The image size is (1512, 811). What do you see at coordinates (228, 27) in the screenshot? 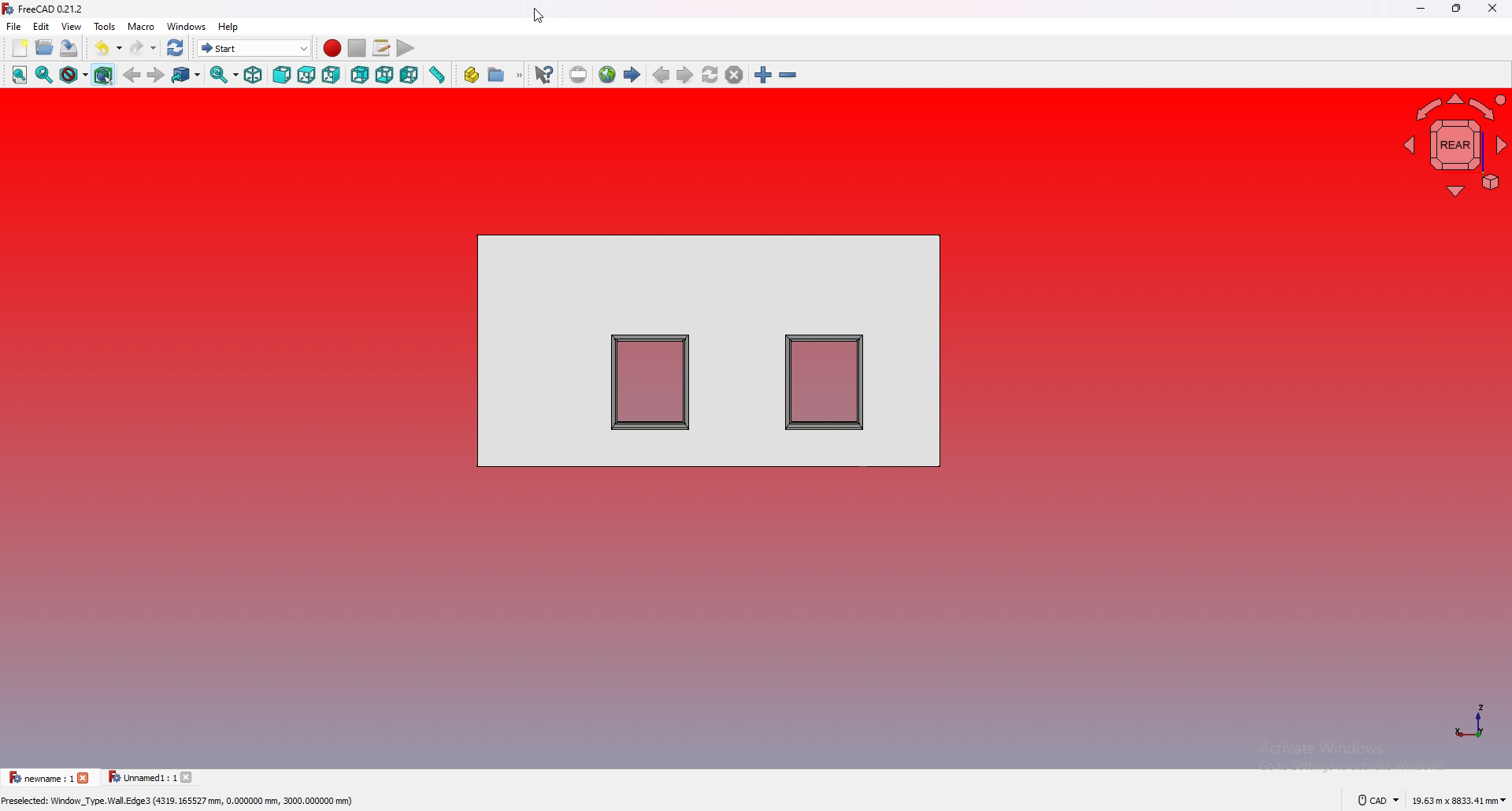
I see `help` at bounding box center [228, 27].